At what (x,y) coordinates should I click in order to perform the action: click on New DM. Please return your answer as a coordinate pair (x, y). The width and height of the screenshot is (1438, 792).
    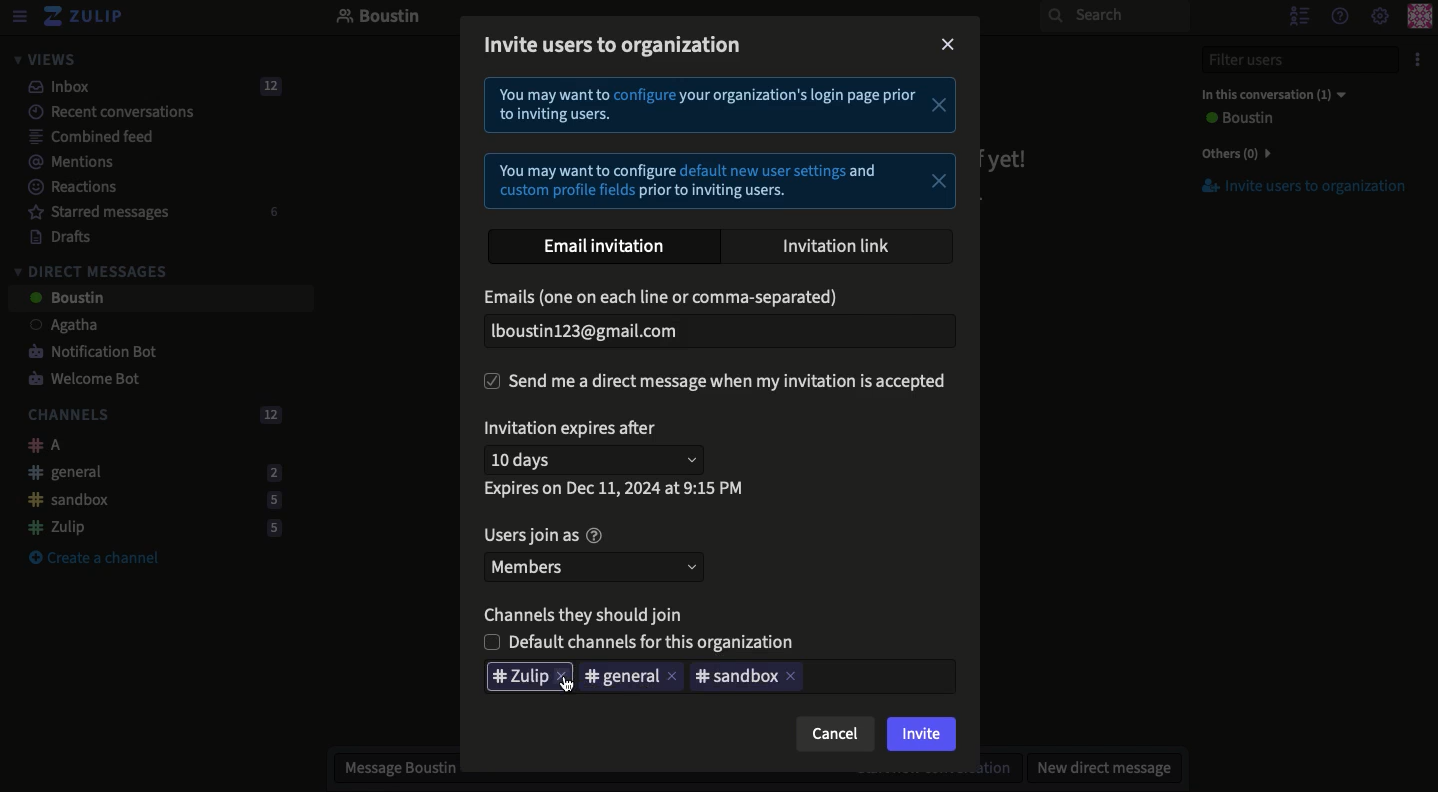
    Looking at the image, I should click on (1099, 767).